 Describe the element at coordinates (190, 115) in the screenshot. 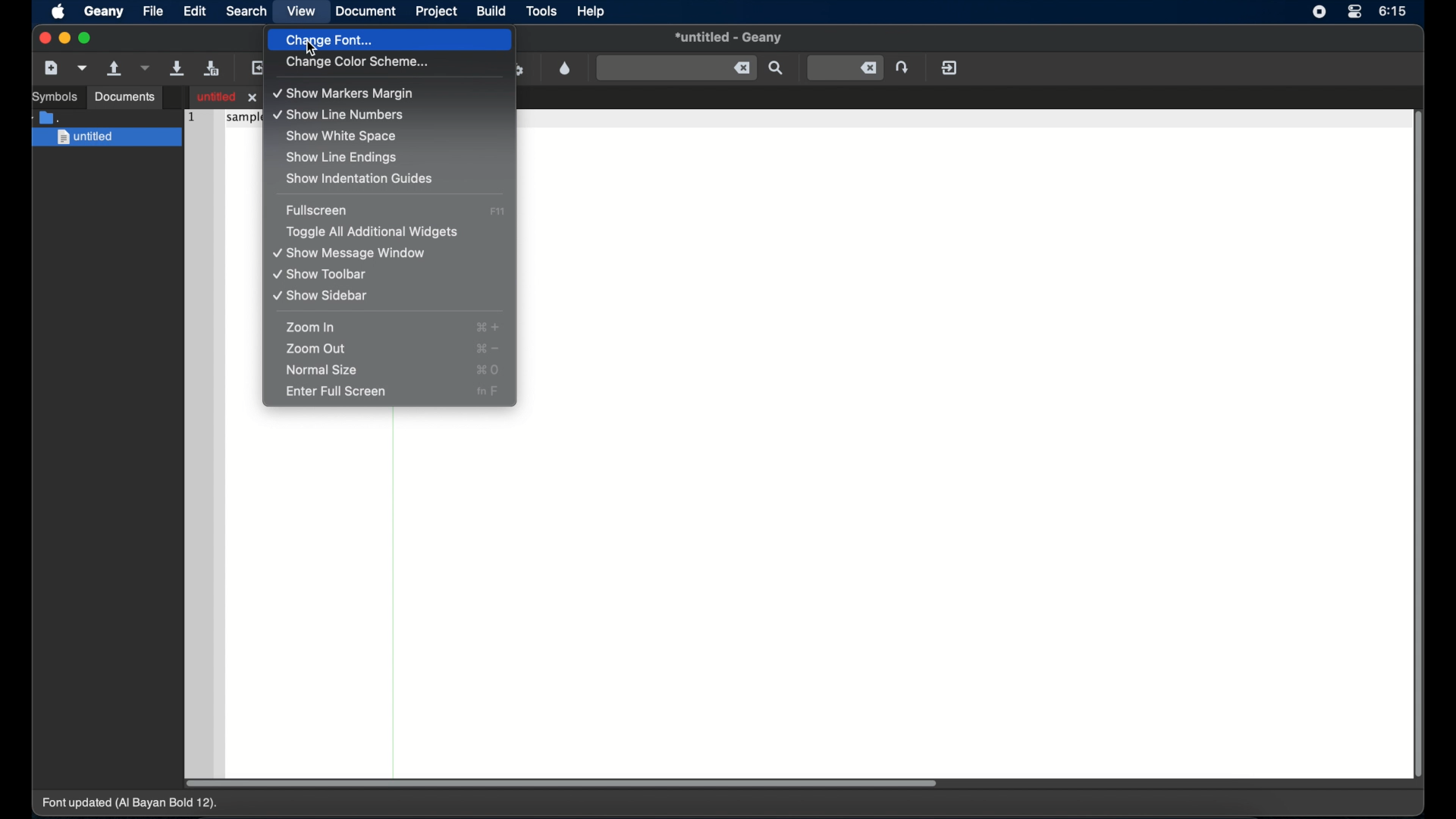

I see `1` at that location.